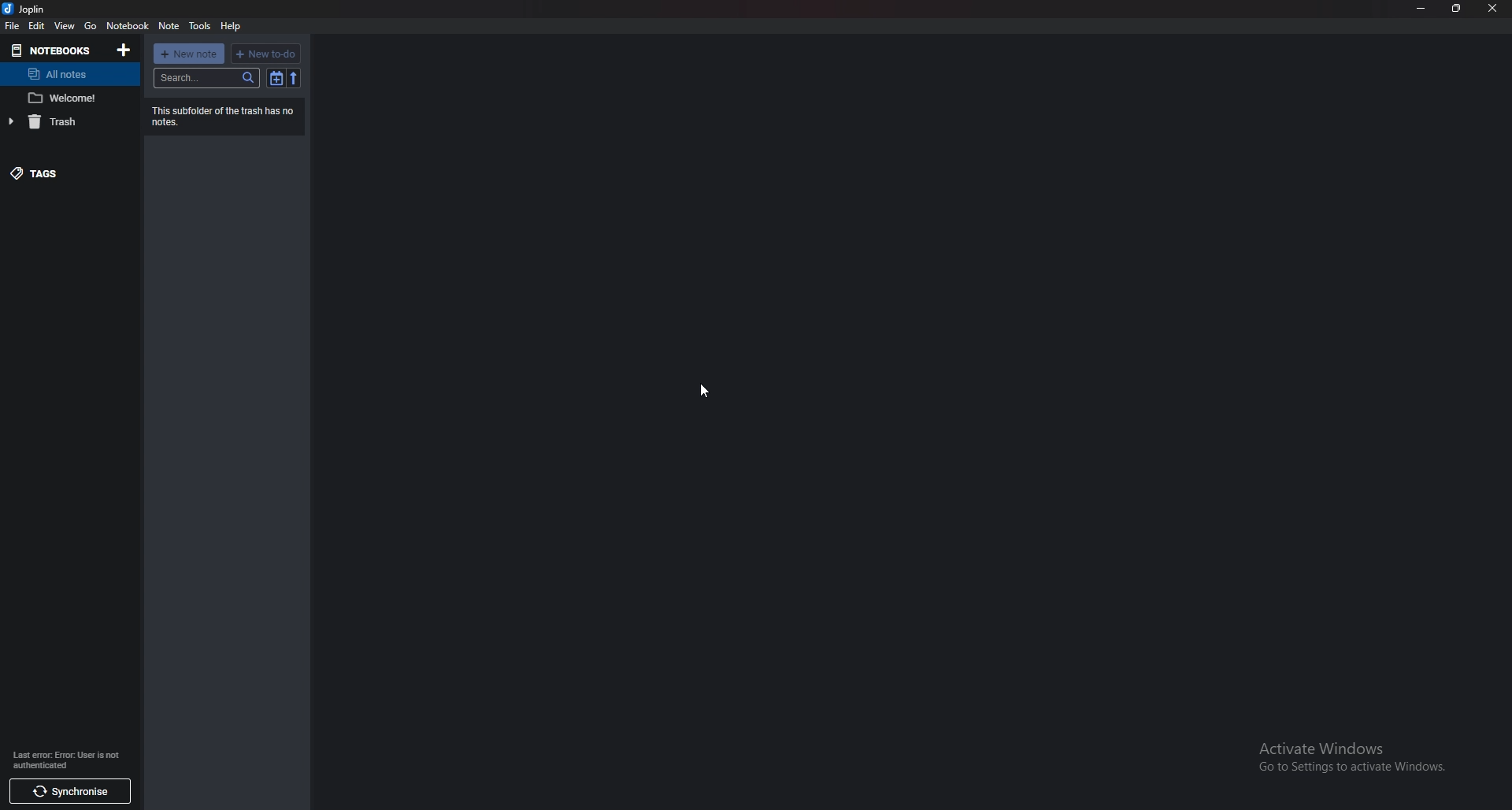  Describe the element at coordinates (65, 173) in the screenshot. I see `tags` at that location.